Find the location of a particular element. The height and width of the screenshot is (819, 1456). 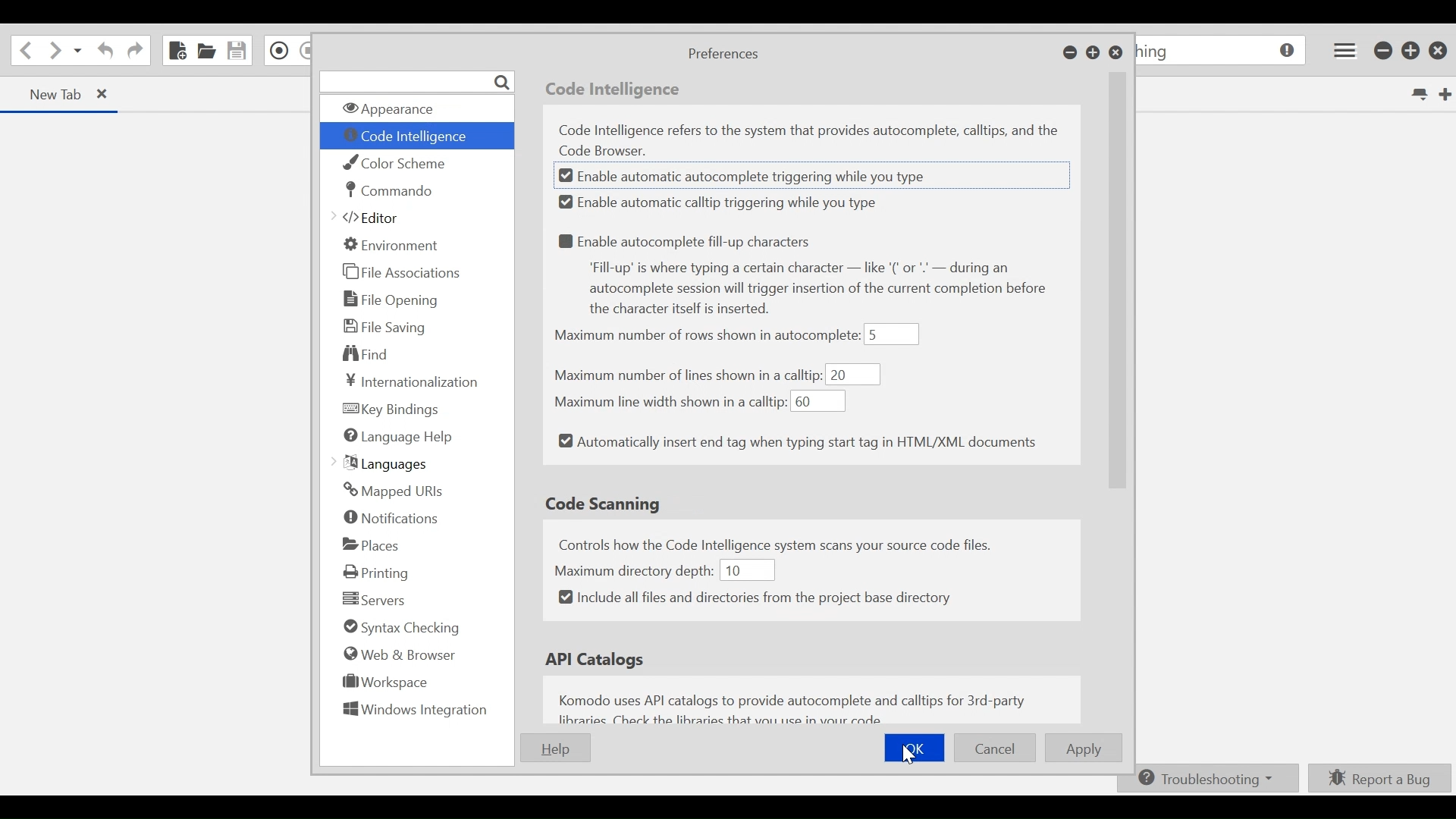

Go back one location is located at coordinates (24, 51).